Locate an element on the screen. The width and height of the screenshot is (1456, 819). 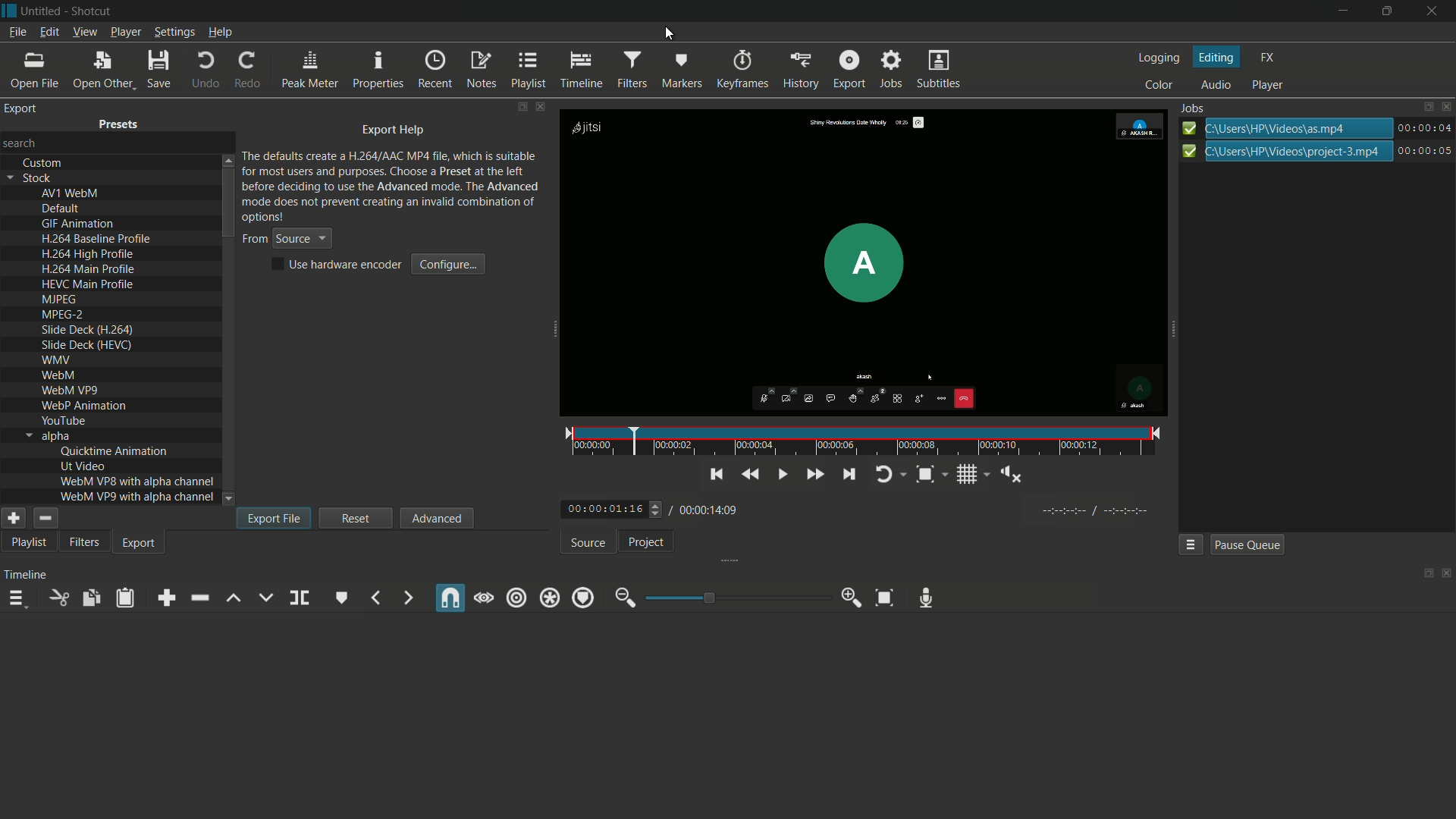
play quickly forward is located at coordinates (813, 472).